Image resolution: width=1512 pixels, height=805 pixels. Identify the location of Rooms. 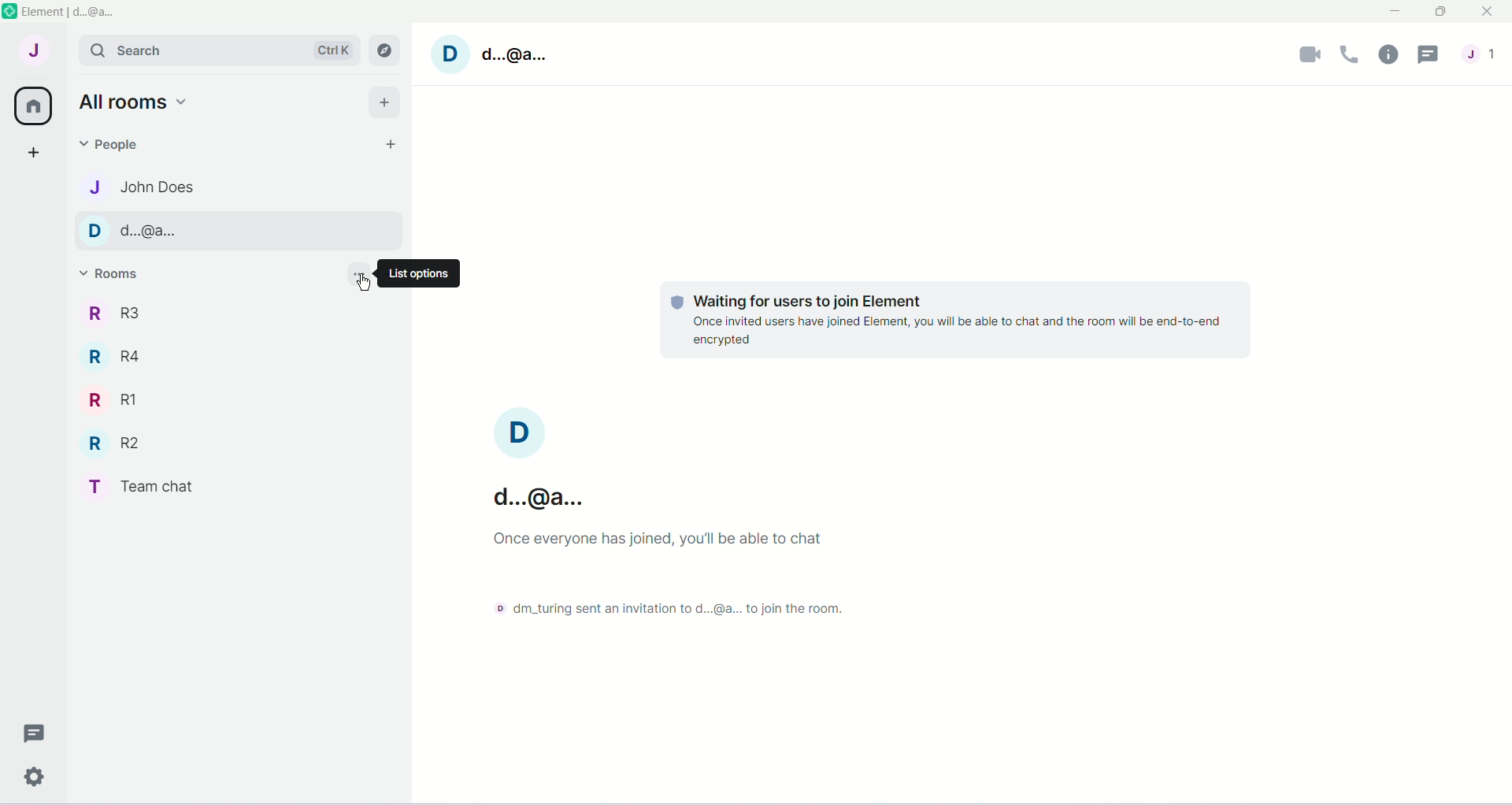
(117, 276).